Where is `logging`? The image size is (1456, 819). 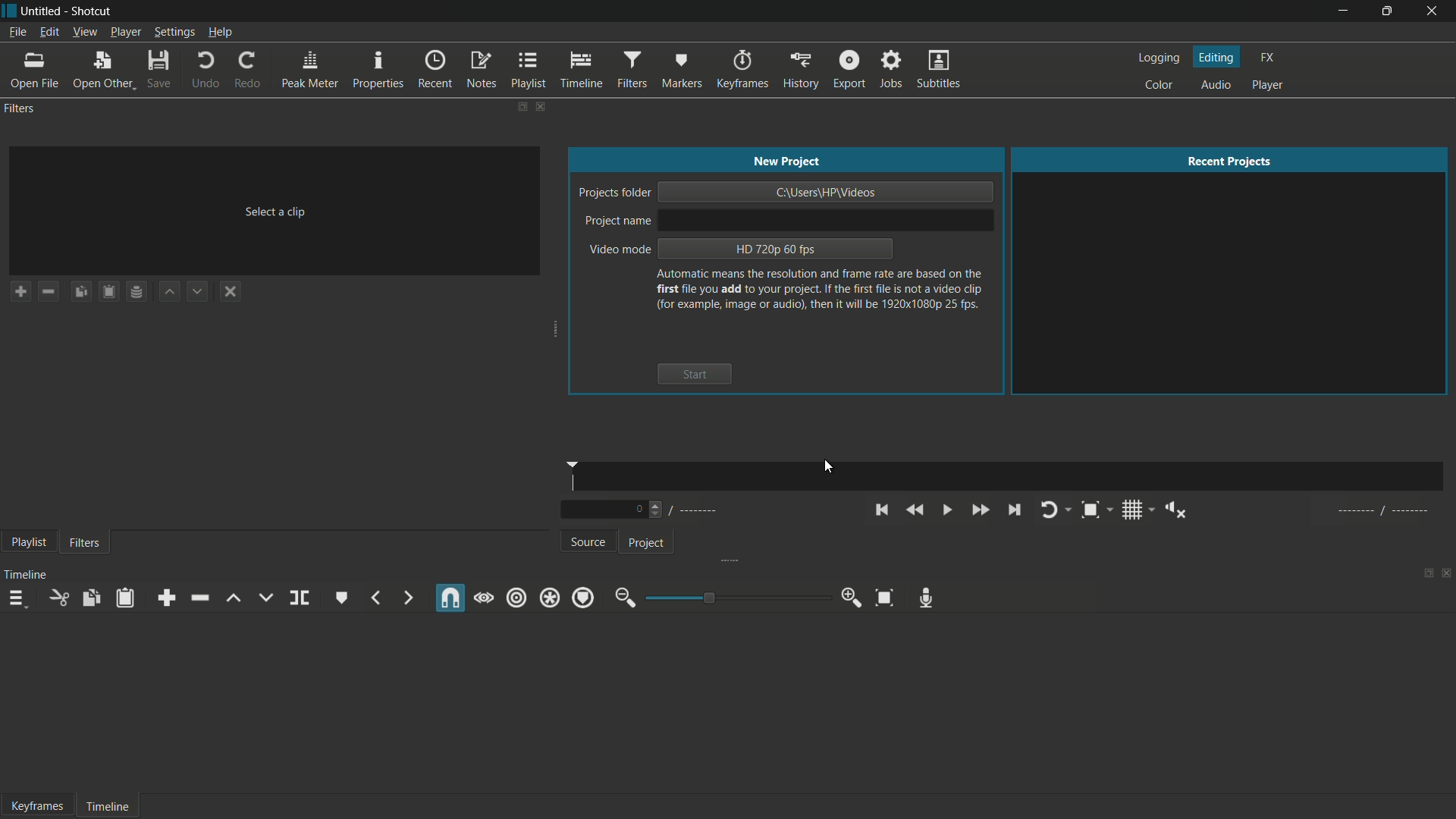 logging is located at coordinates (1158, 58).